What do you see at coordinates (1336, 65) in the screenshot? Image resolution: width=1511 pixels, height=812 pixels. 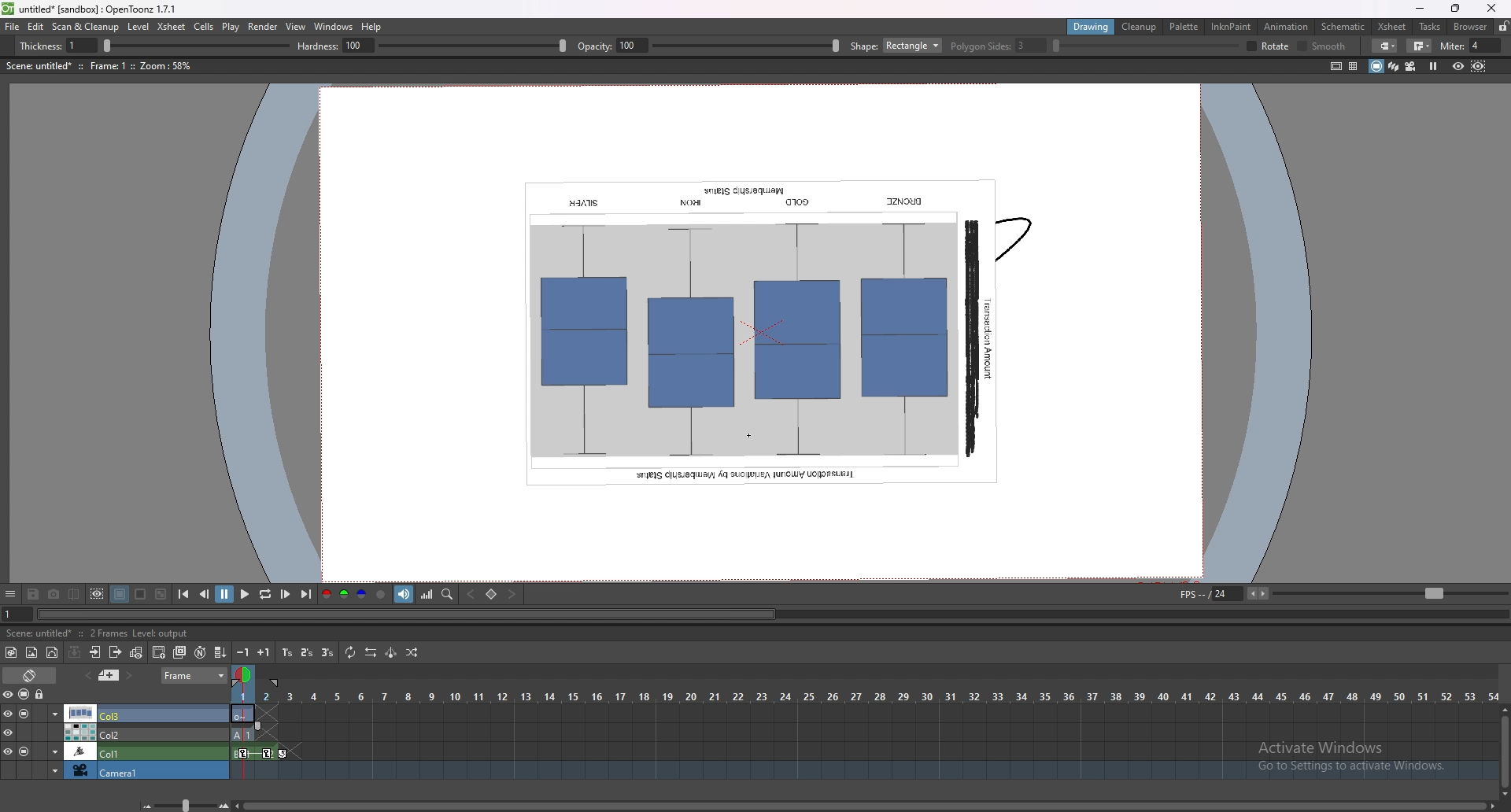 I see `safe area` at bounding box center [1336, 65].